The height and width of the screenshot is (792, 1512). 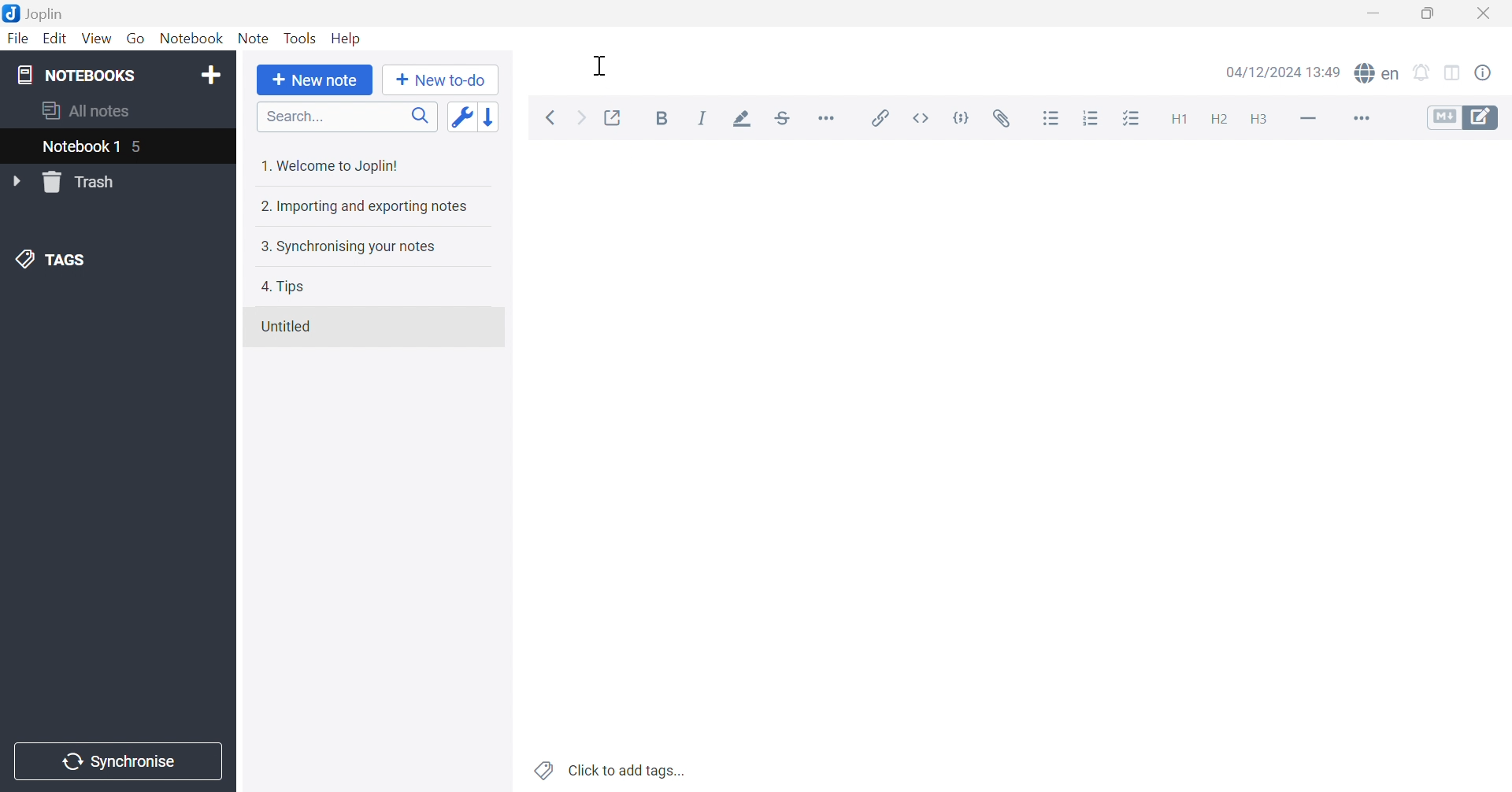 I want to click on Drop Down, so click(x=18, y=182).